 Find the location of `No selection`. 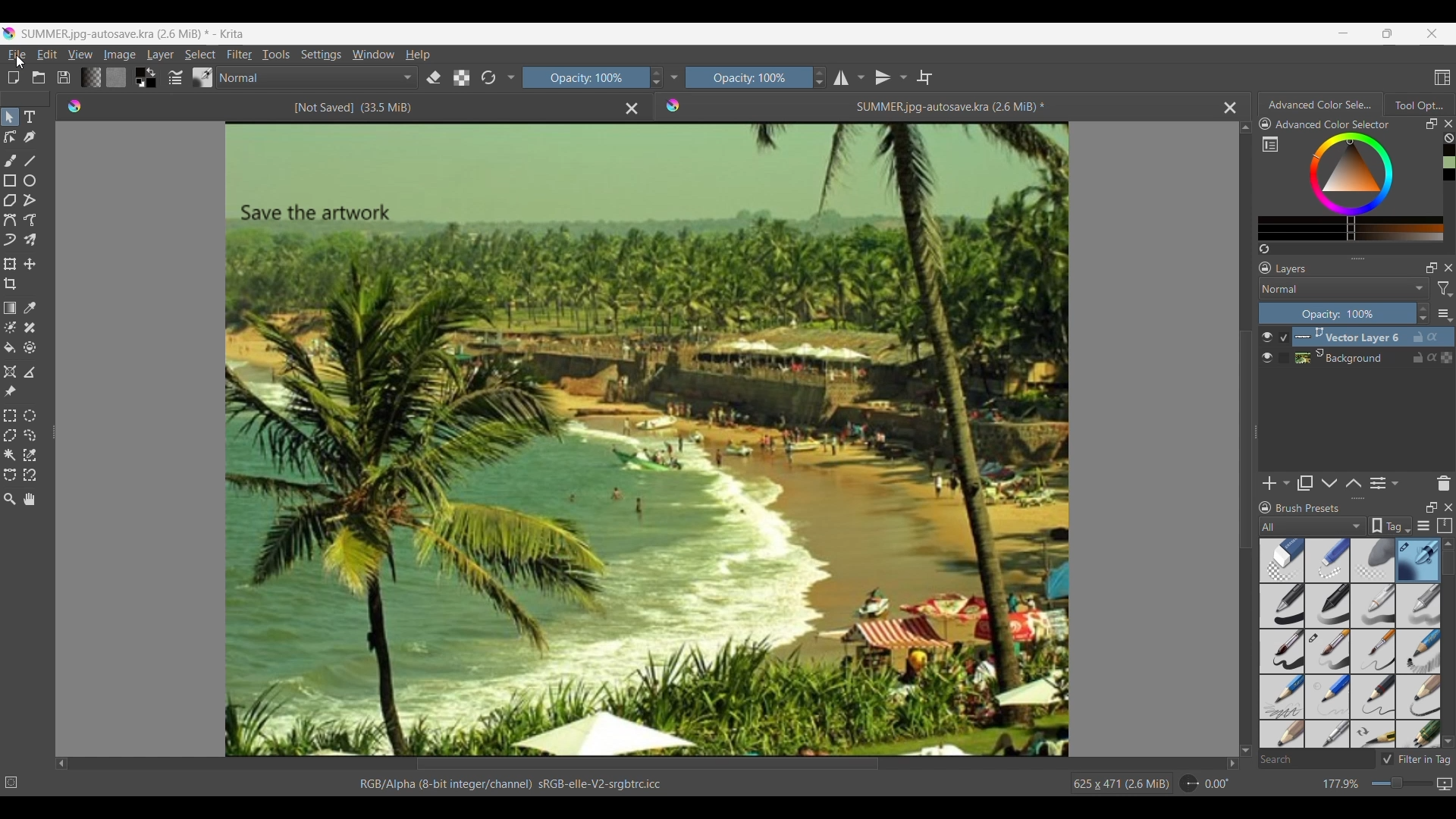

No selection is located at coordinates (11, 783).